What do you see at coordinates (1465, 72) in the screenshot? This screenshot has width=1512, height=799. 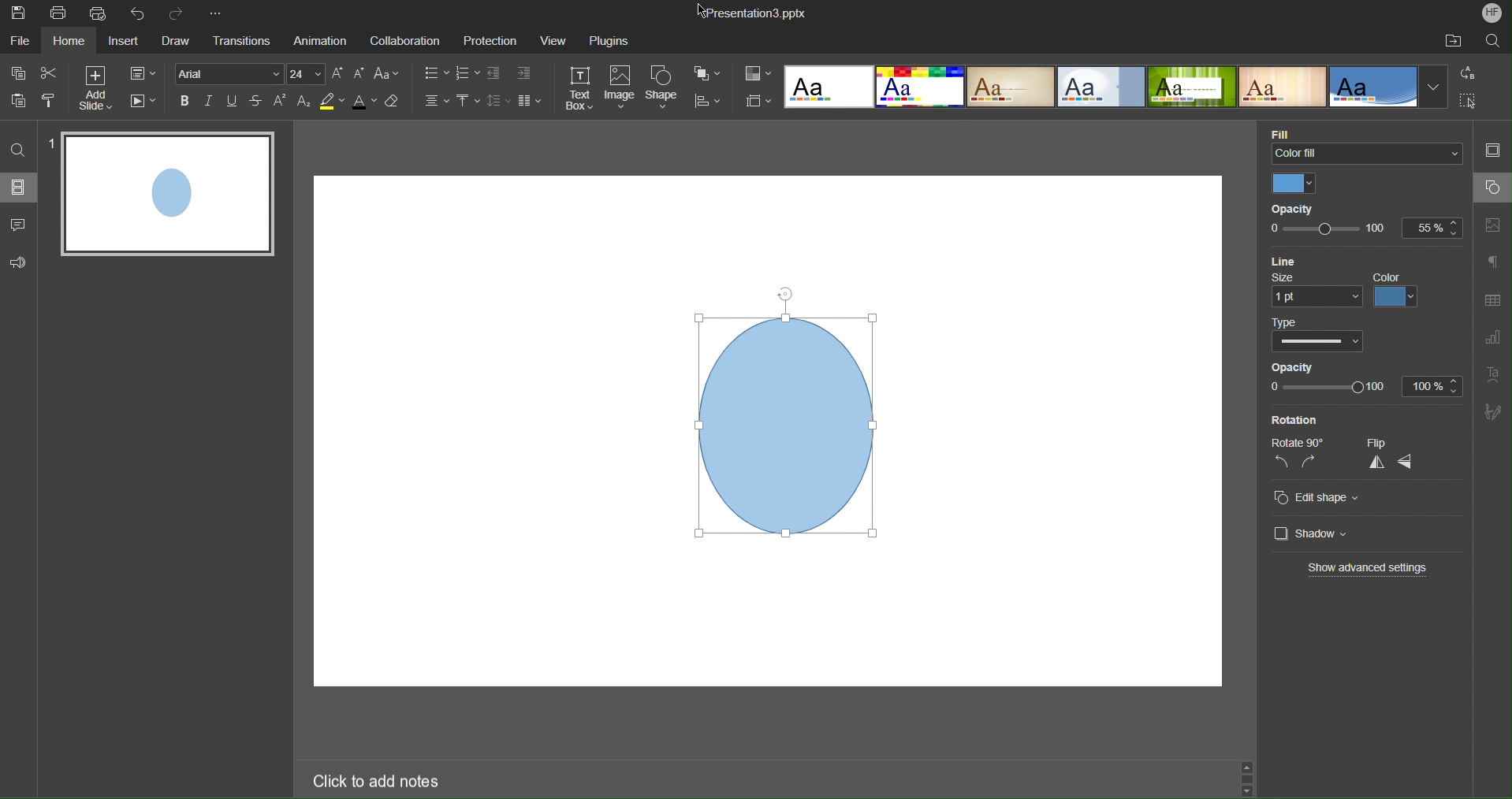 I see `Replace` at bounding box center [1465, 72].